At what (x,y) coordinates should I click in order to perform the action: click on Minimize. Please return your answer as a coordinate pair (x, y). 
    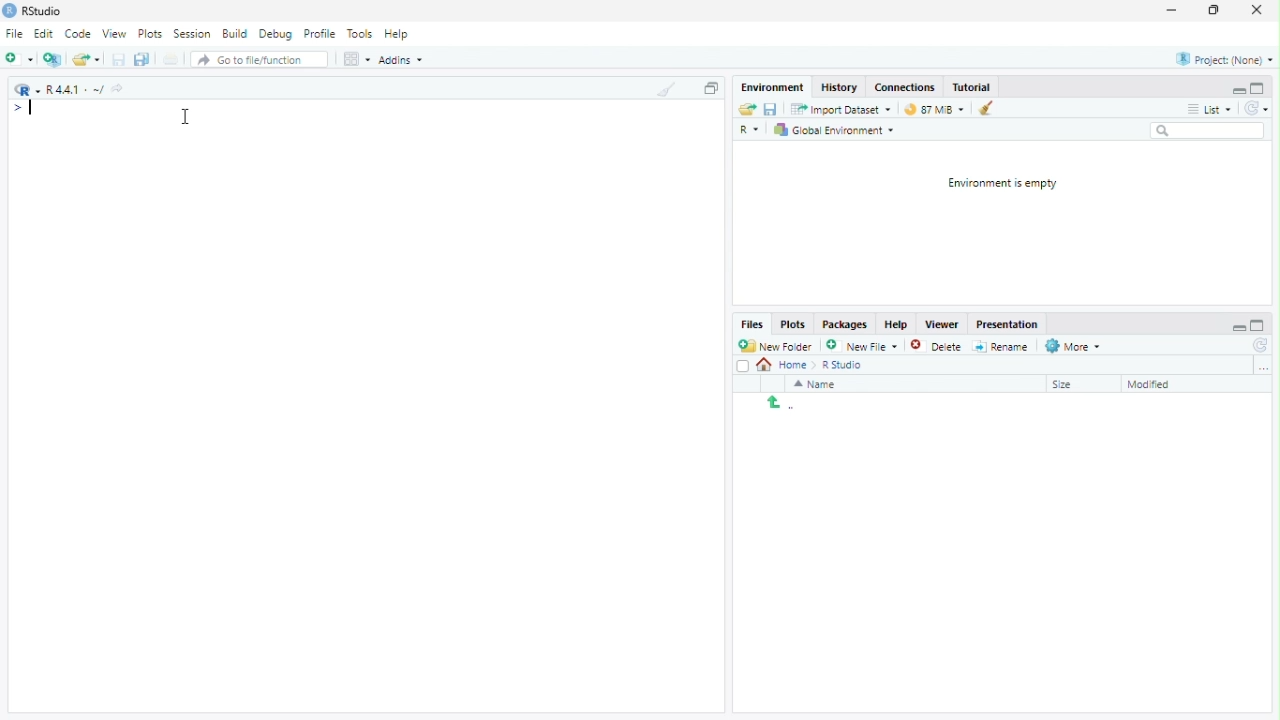
    Looking at the image, I should click on (1237, 89).